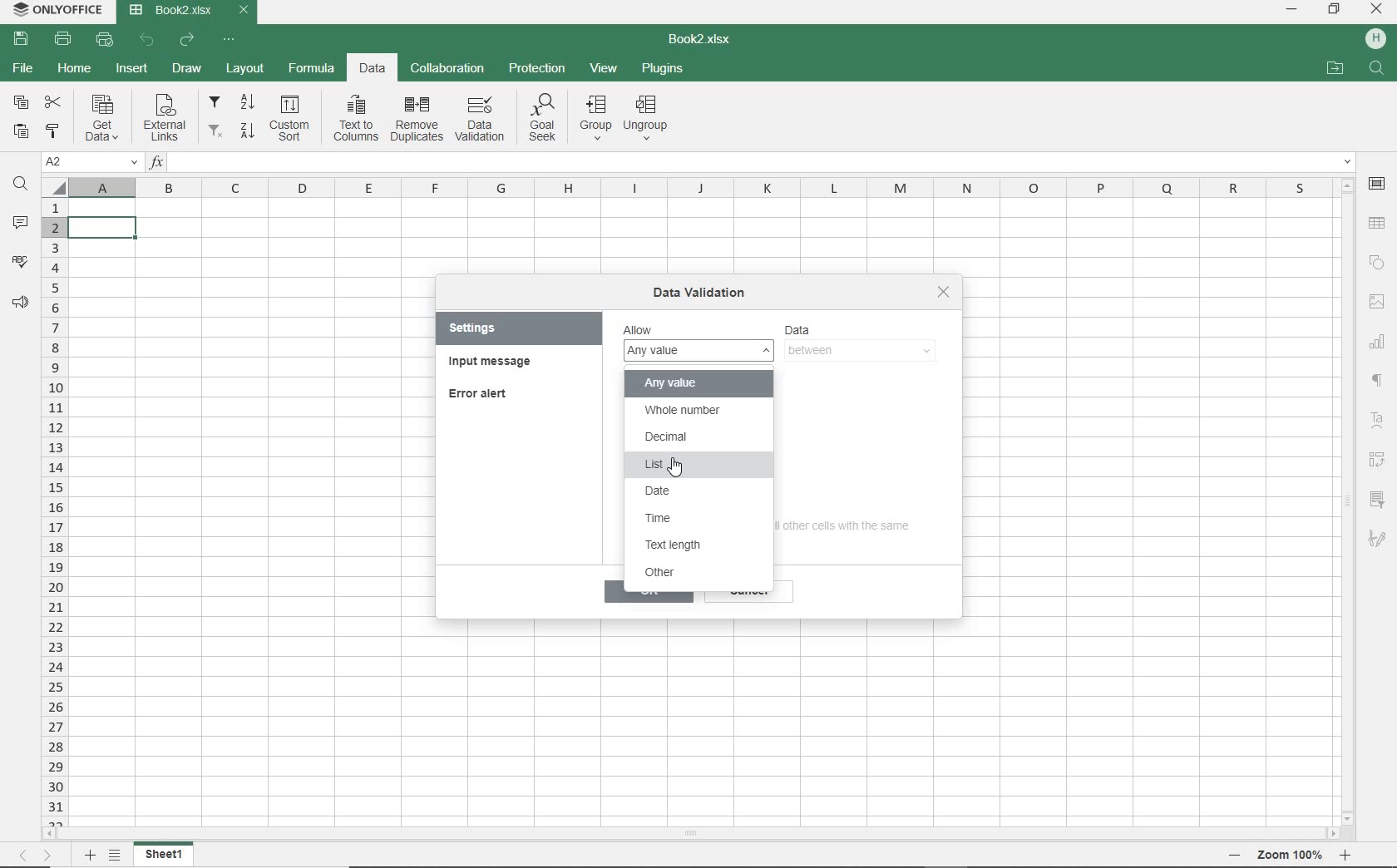 The width and height of the screenshot is (1397, 868). Describe the element at coordinates (106, 117) in the screenshot. I see `get data` at that location.